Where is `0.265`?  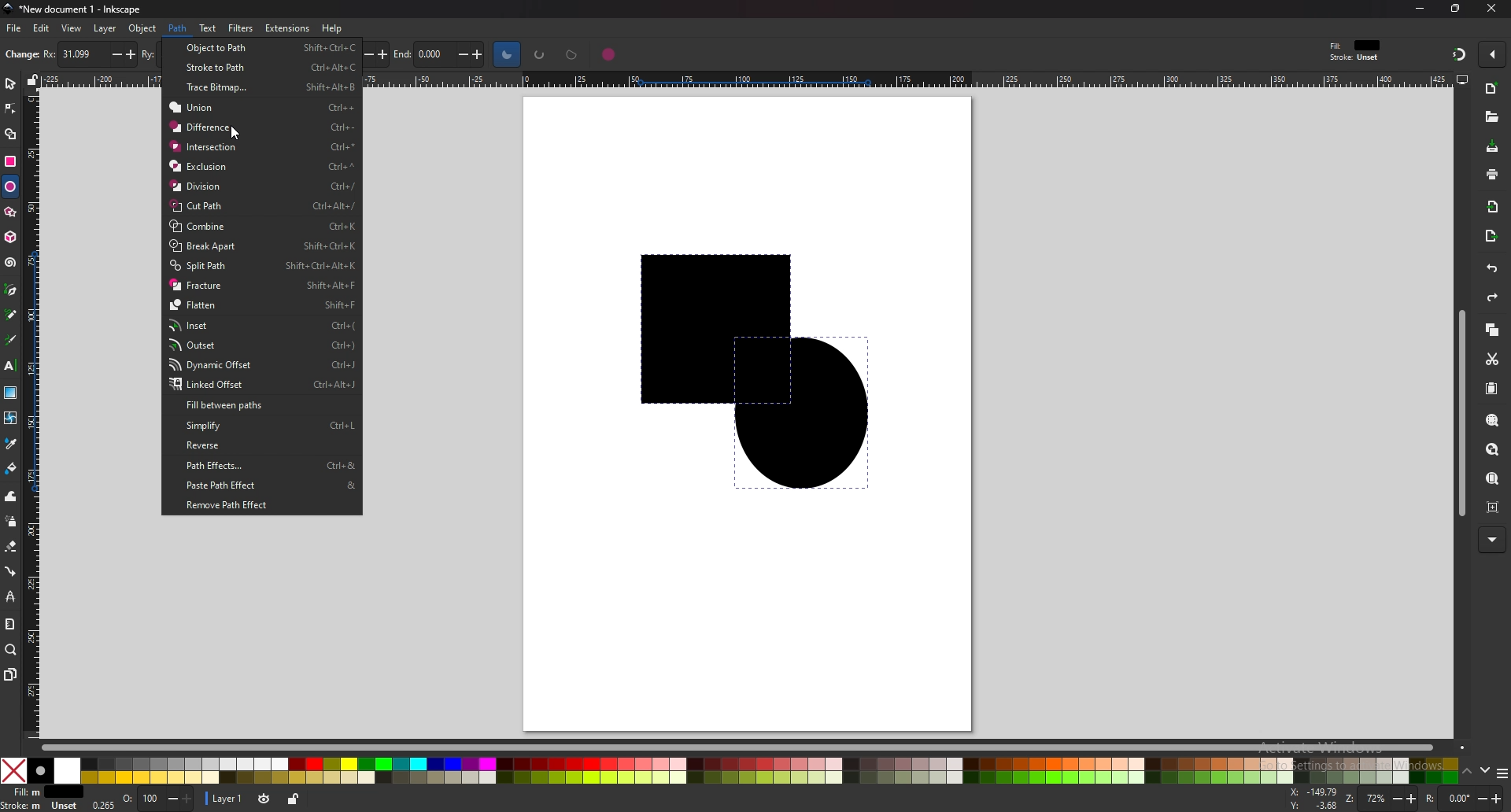 0.265 is located at coordinates (102, 806).